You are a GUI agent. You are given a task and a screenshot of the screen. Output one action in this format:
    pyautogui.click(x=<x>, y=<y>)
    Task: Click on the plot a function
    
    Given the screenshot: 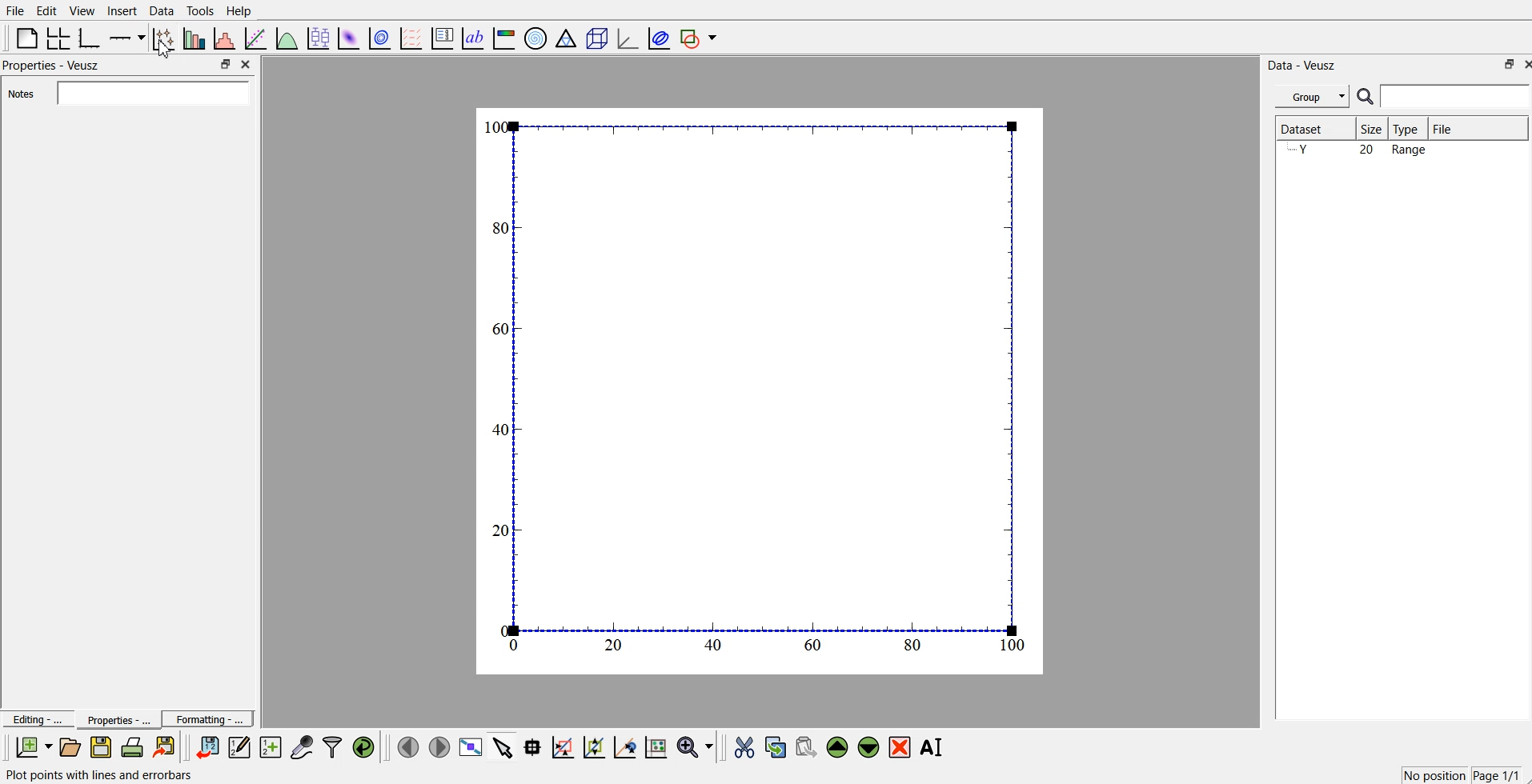 What is the action you would take?
    pyautogui.click(x=287, y=38)
    